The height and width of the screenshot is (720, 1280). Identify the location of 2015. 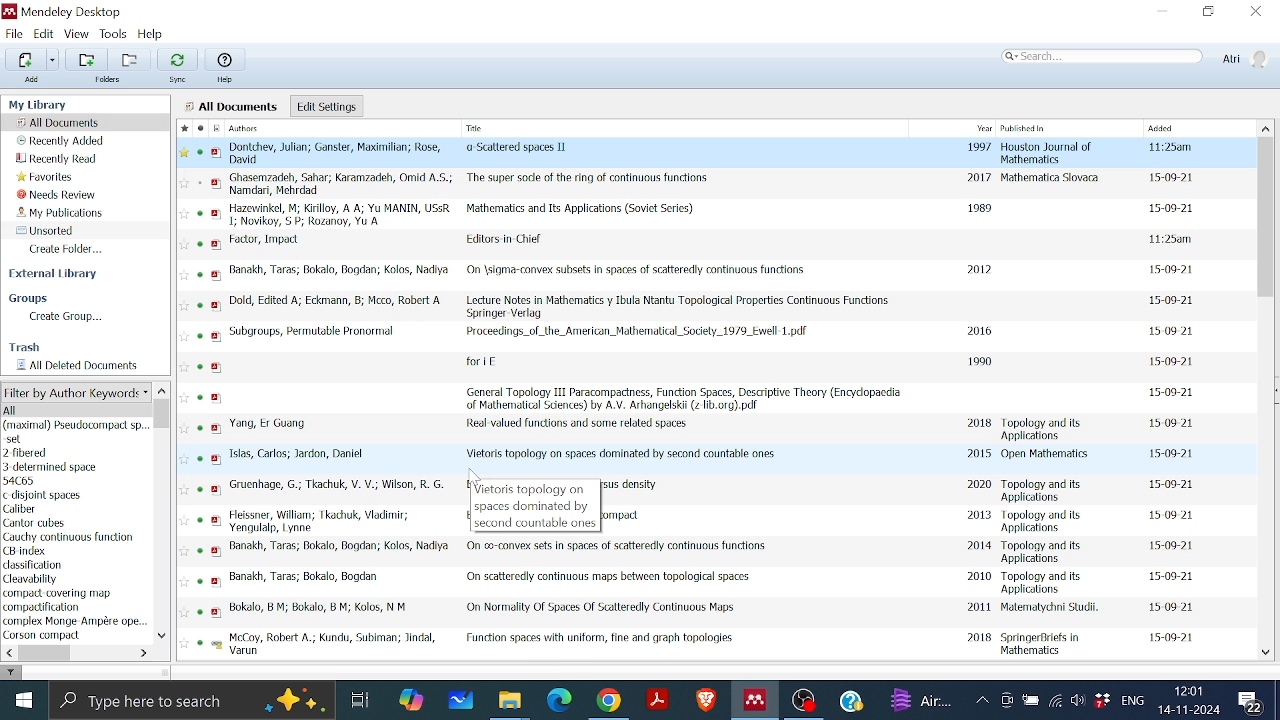
(976, 453).